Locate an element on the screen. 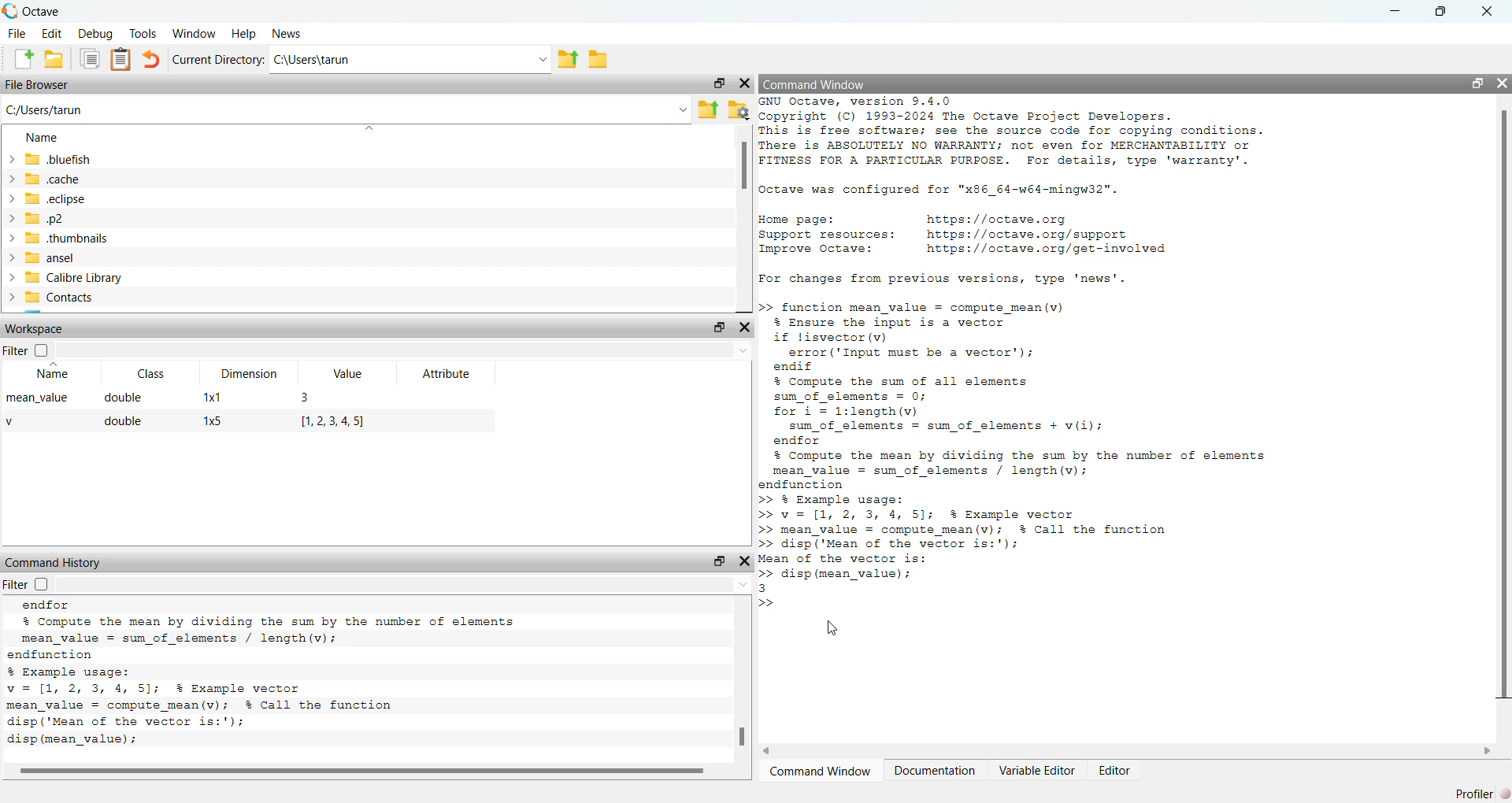 This screenshot has height=803, width=1512. open in separate window is located at coordinates (721, 327).